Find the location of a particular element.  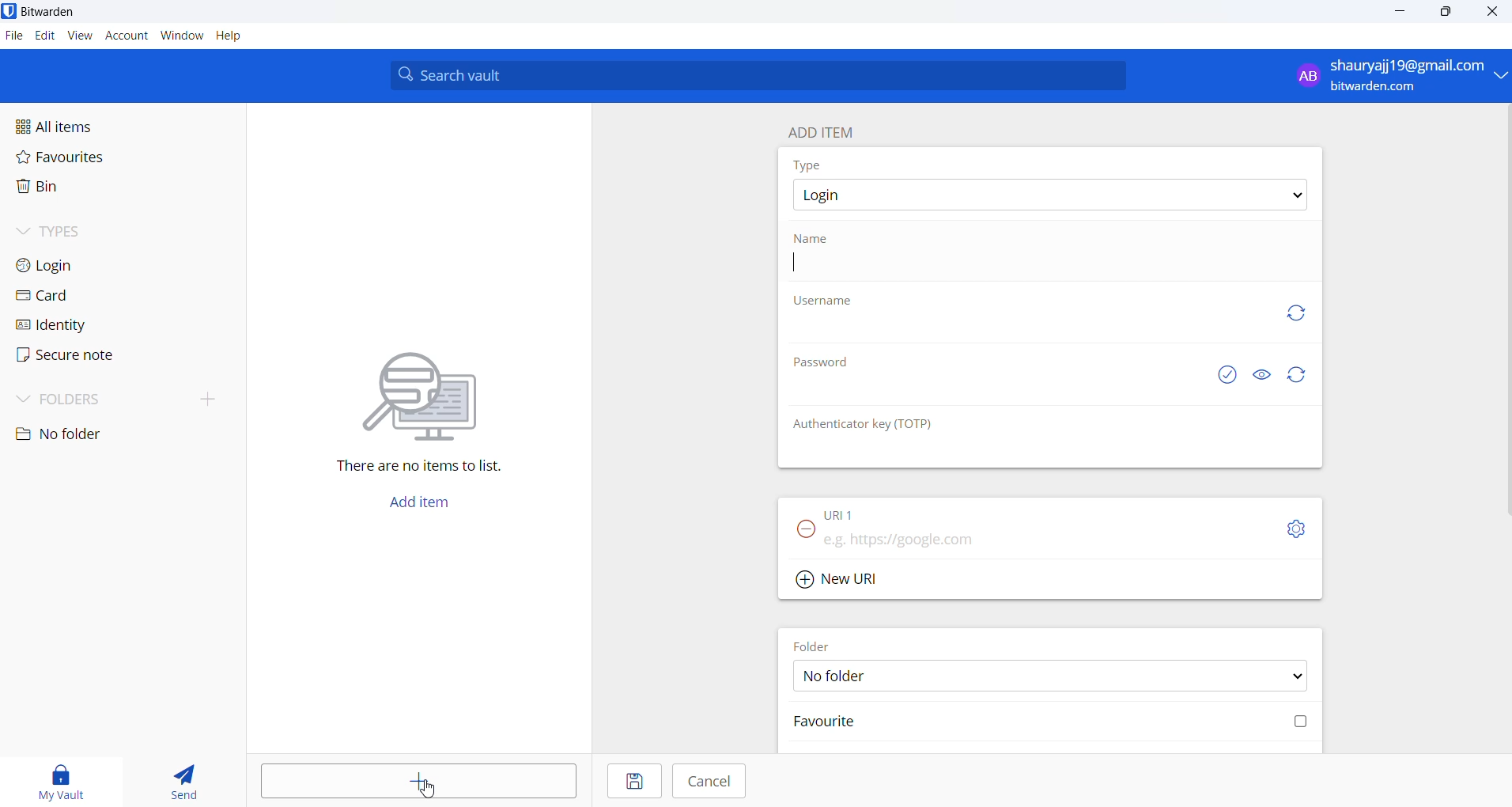

close is located at coordinates (1493, 13).